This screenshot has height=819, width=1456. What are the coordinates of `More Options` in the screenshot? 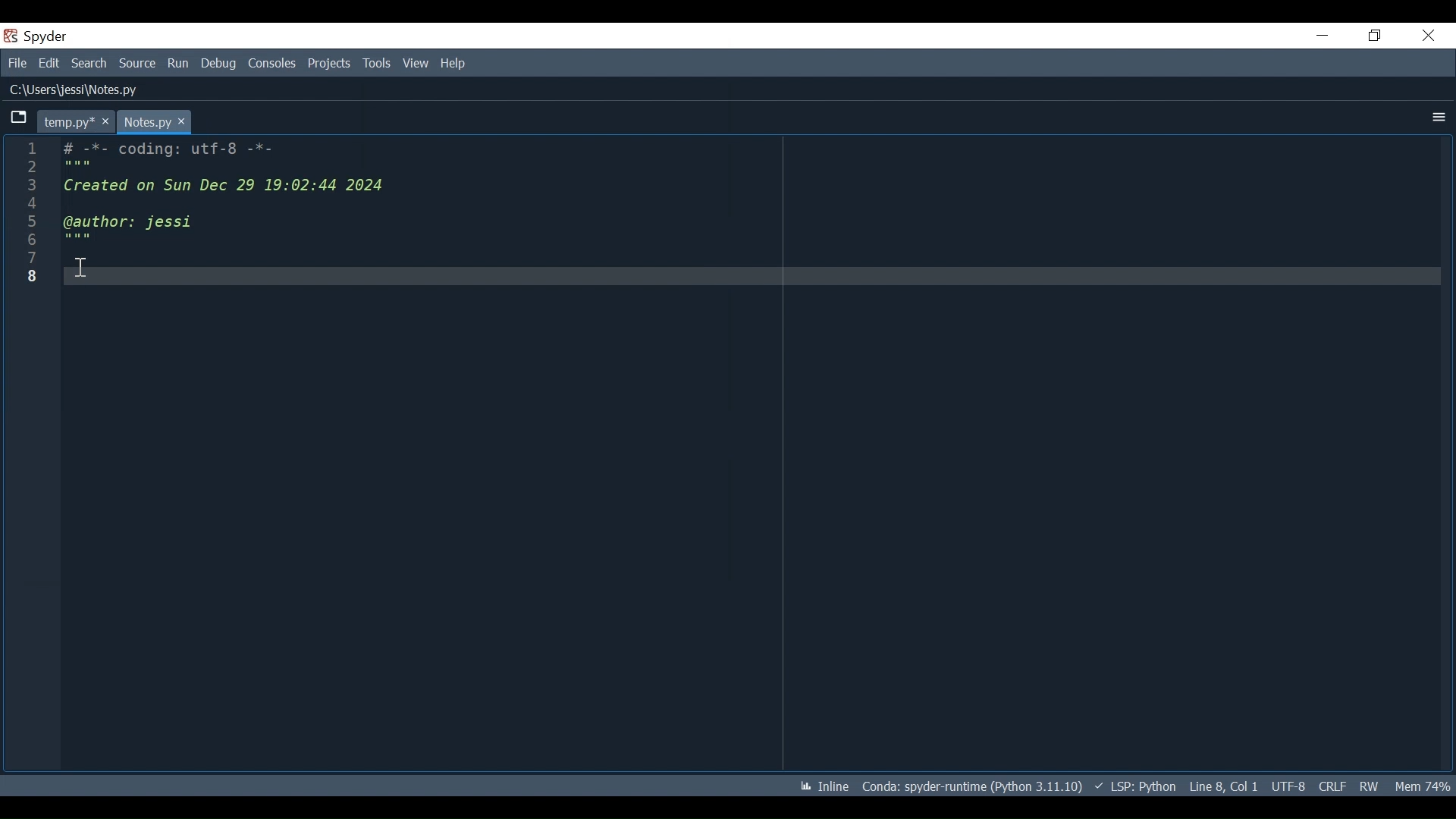 It's located at (1436, 118).